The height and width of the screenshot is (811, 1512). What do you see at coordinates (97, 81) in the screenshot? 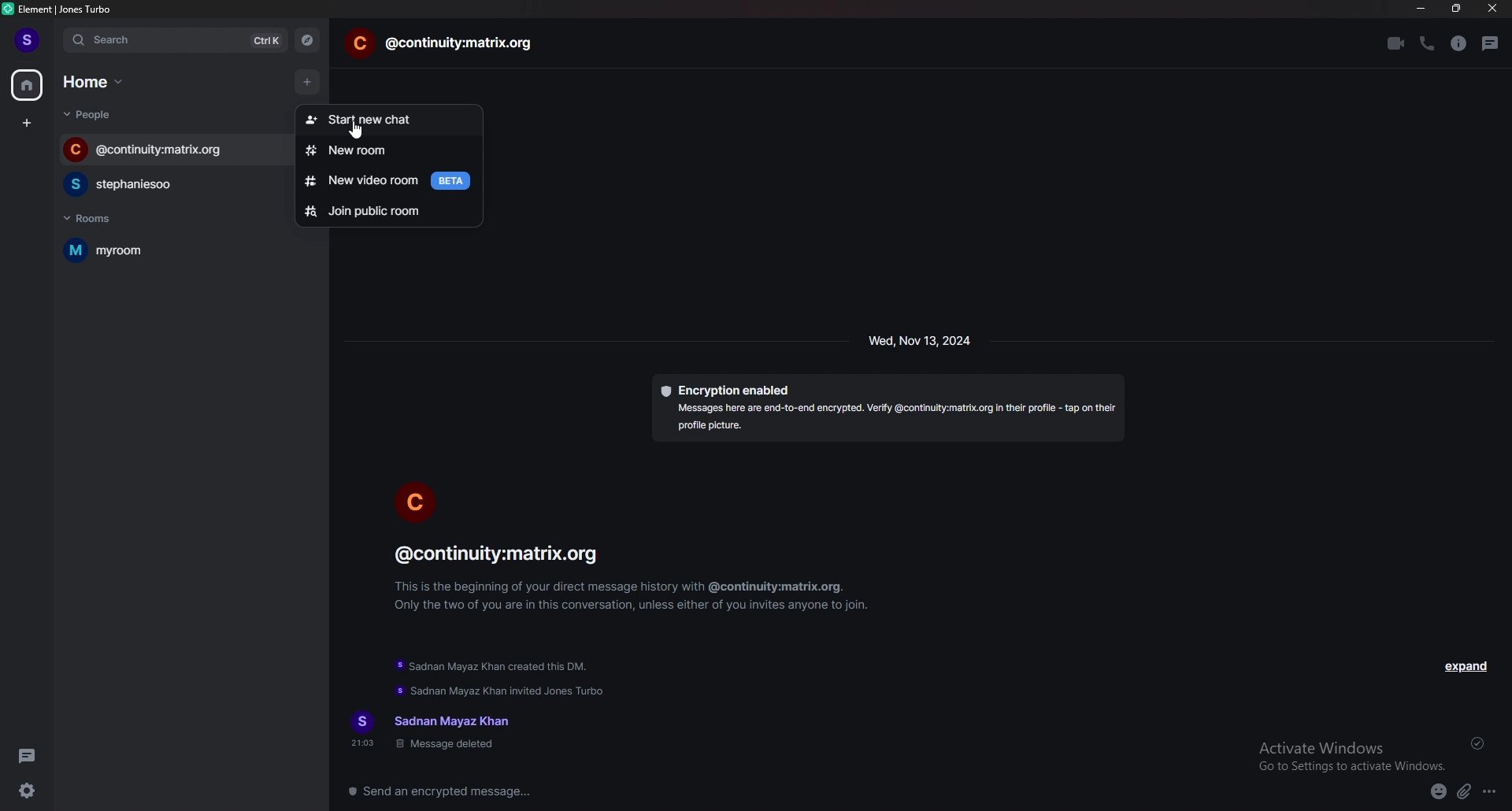
I see `home` at bounding box center [97, 81].